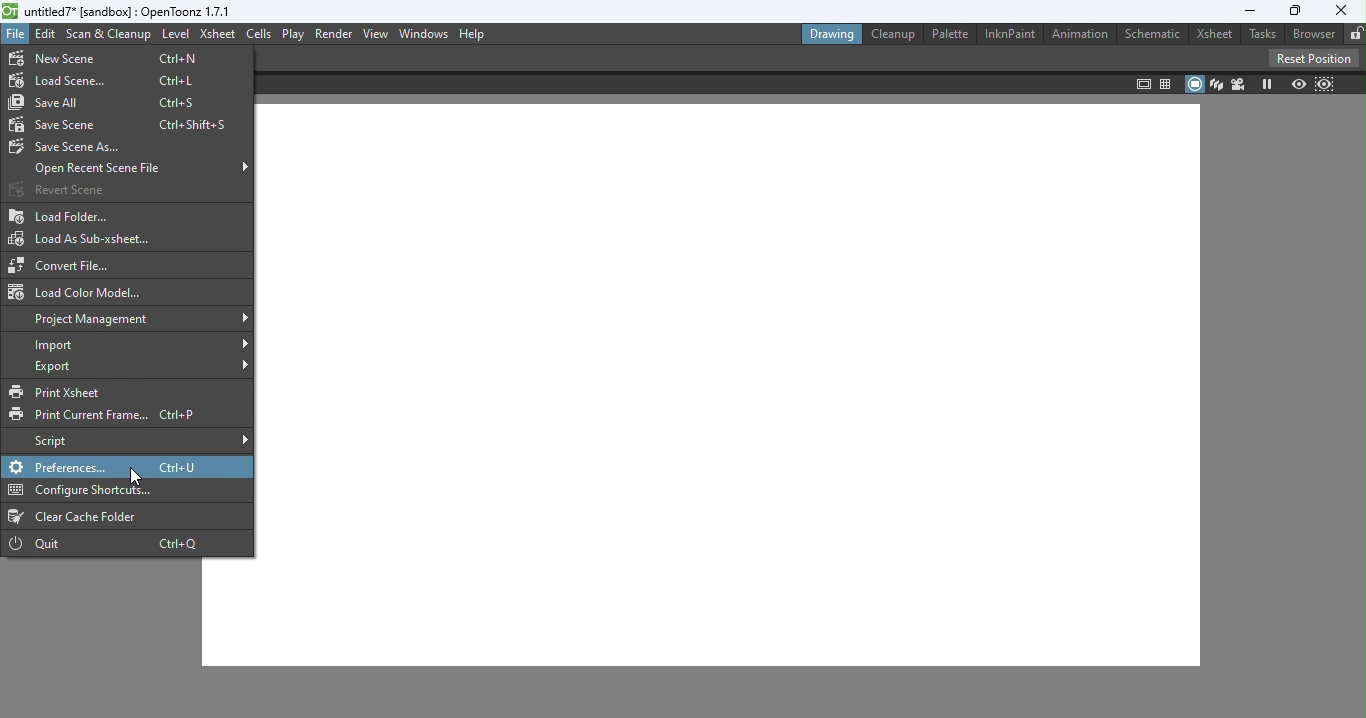 The width and height of the screenshot is (1366, 718). I want to click on Play, so click(295, 34).